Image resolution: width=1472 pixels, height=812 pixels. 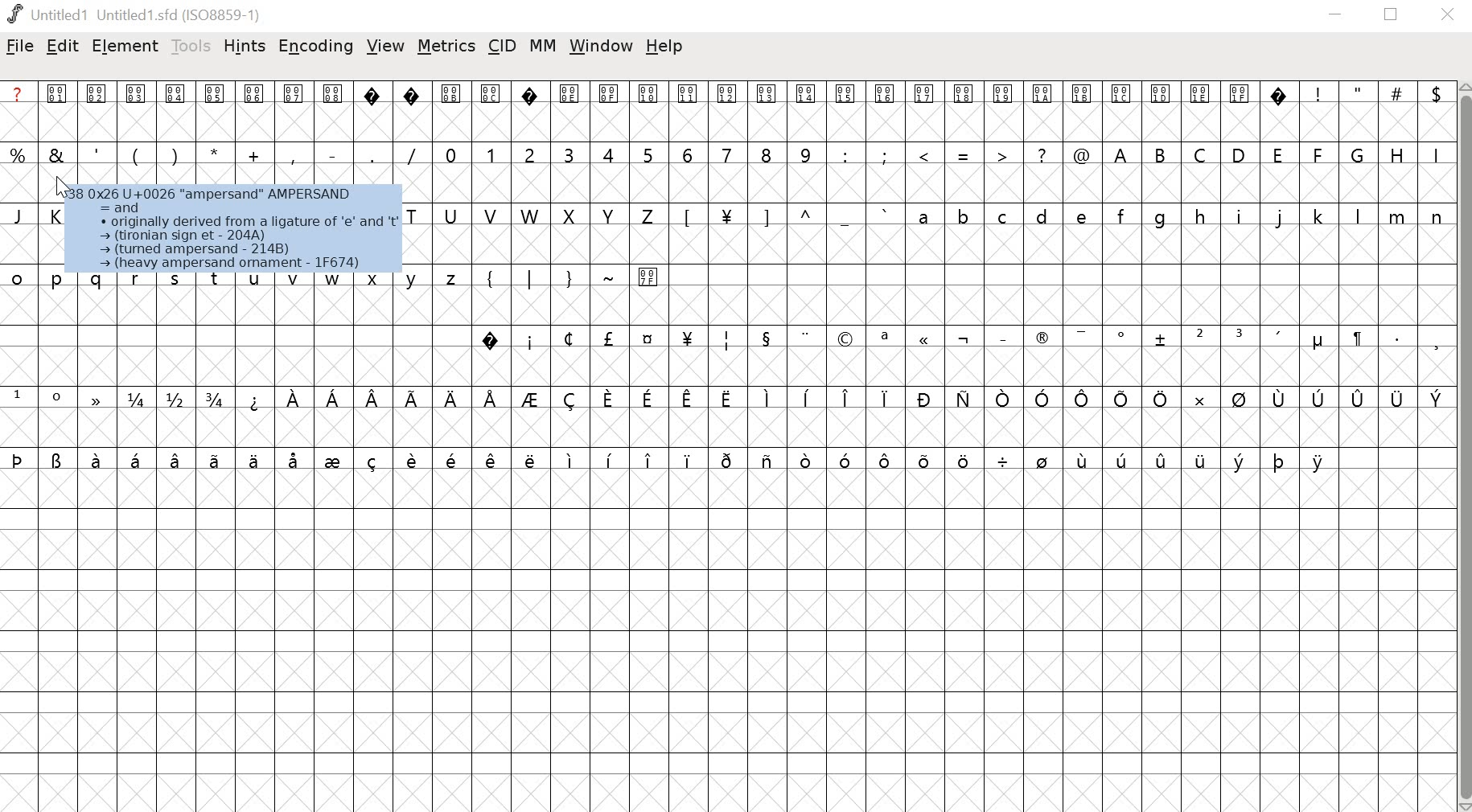 I want to click on symbol, so click(x=1043, y=397).